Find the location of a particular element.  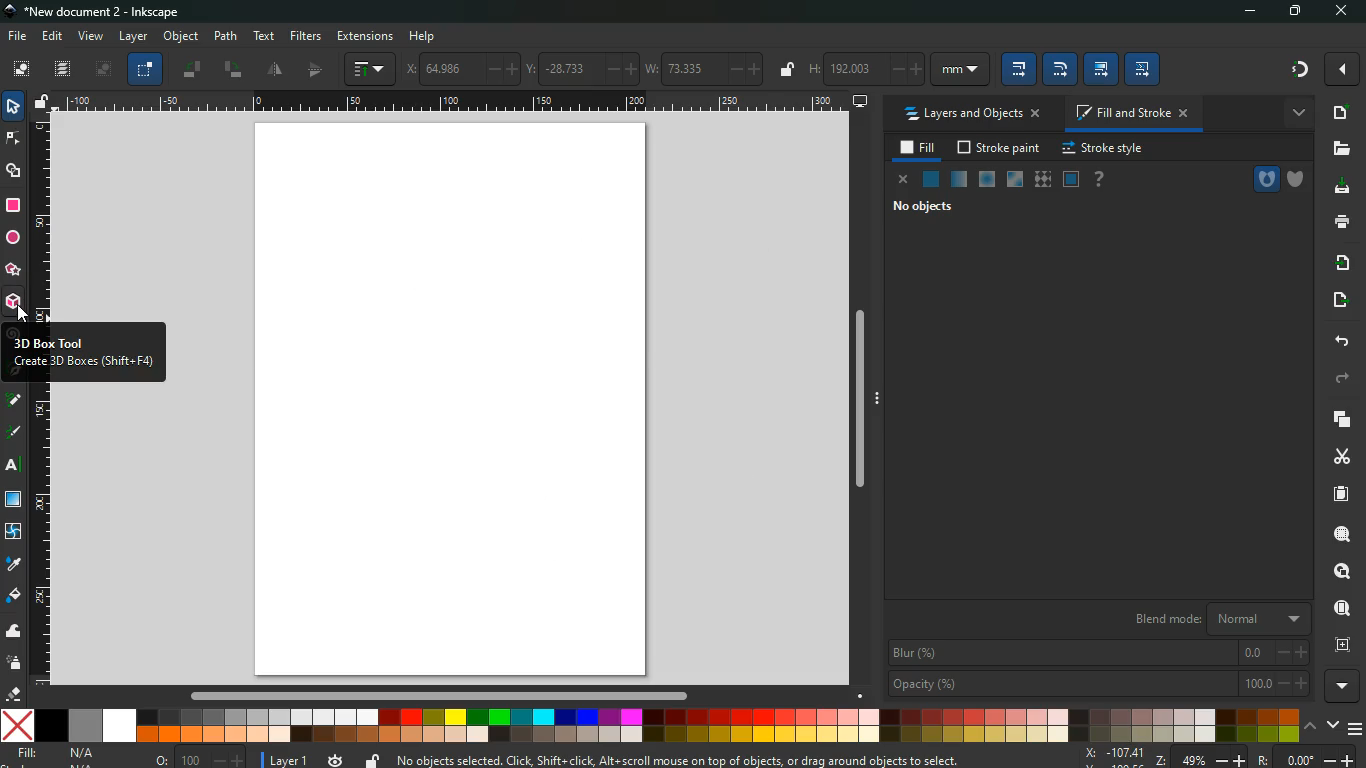

menu is located at coordinates (1357, 729).